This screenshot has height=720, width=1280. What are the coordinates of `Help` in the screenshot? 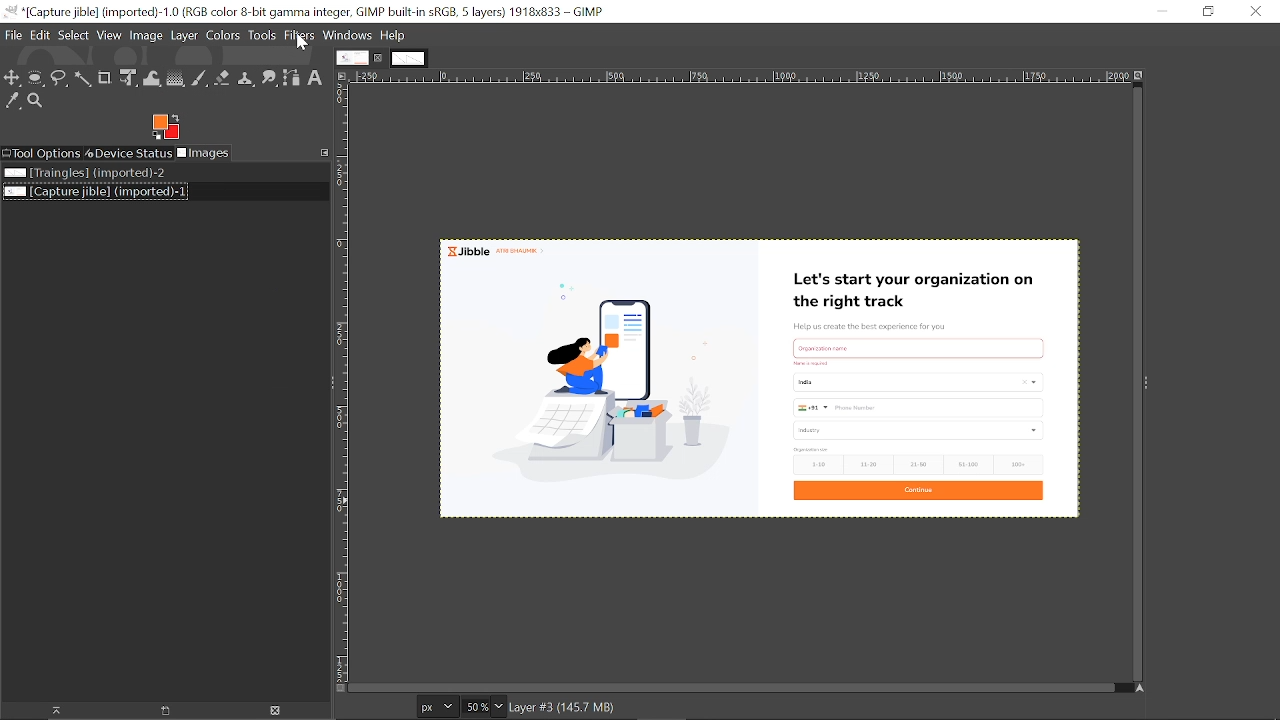 It's located at (394, 35).